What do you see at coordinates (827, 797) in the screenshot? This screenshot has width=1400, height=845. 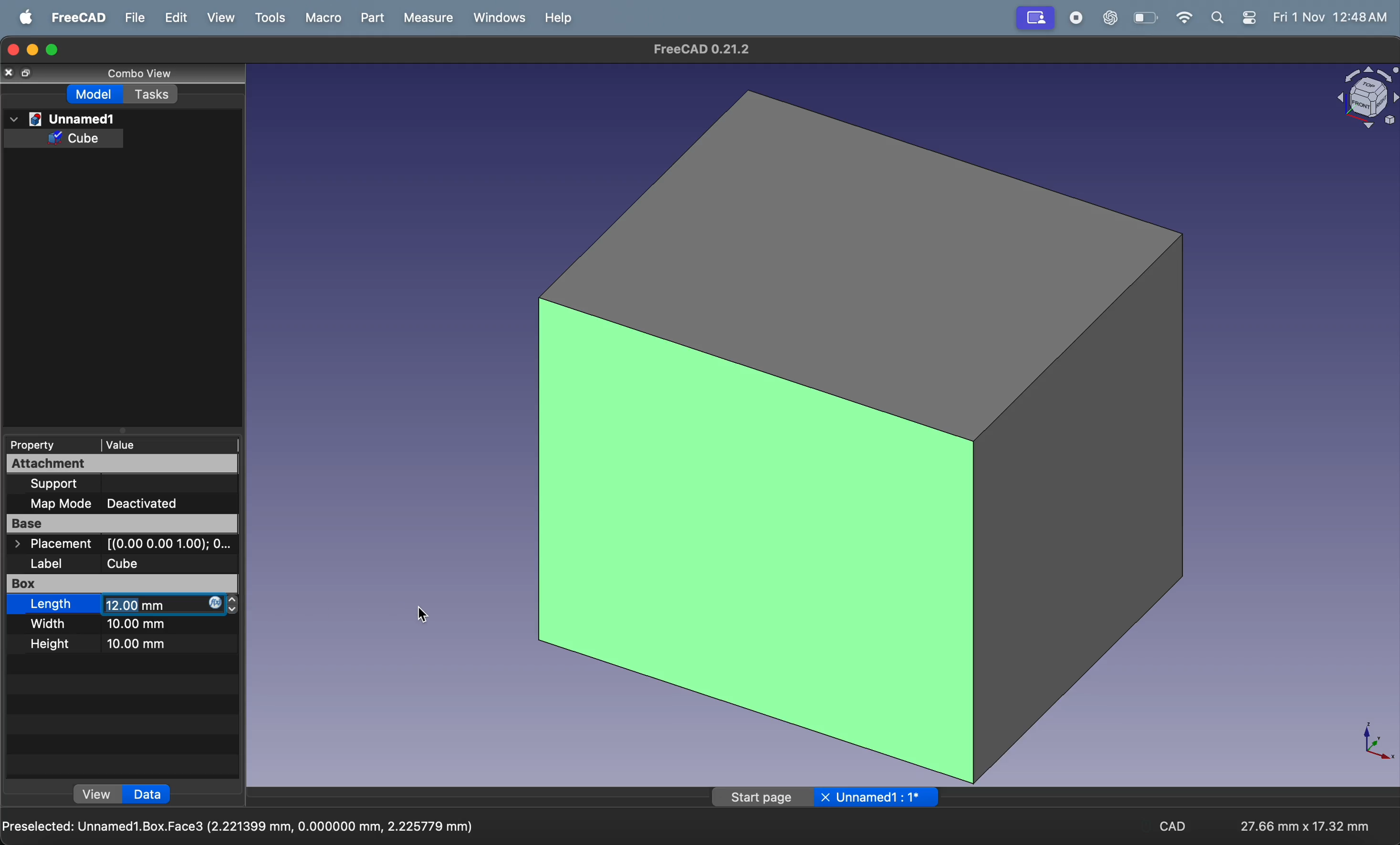 I see `close` at bounding box center [827, 797].